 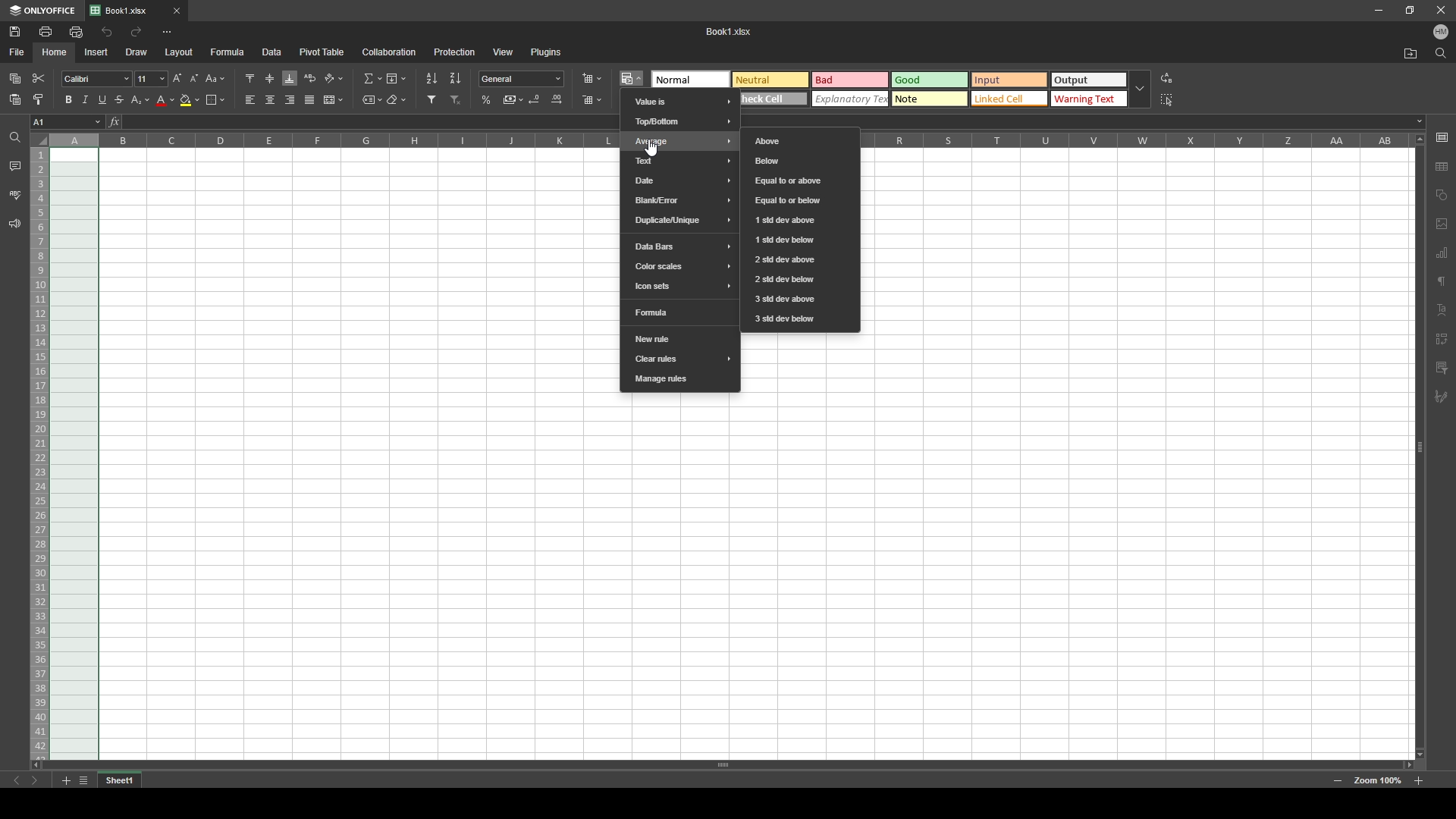 What do you see at coordinates (250, 77) in the screenshot?
I see `align top` at bounding box center [250, 77].